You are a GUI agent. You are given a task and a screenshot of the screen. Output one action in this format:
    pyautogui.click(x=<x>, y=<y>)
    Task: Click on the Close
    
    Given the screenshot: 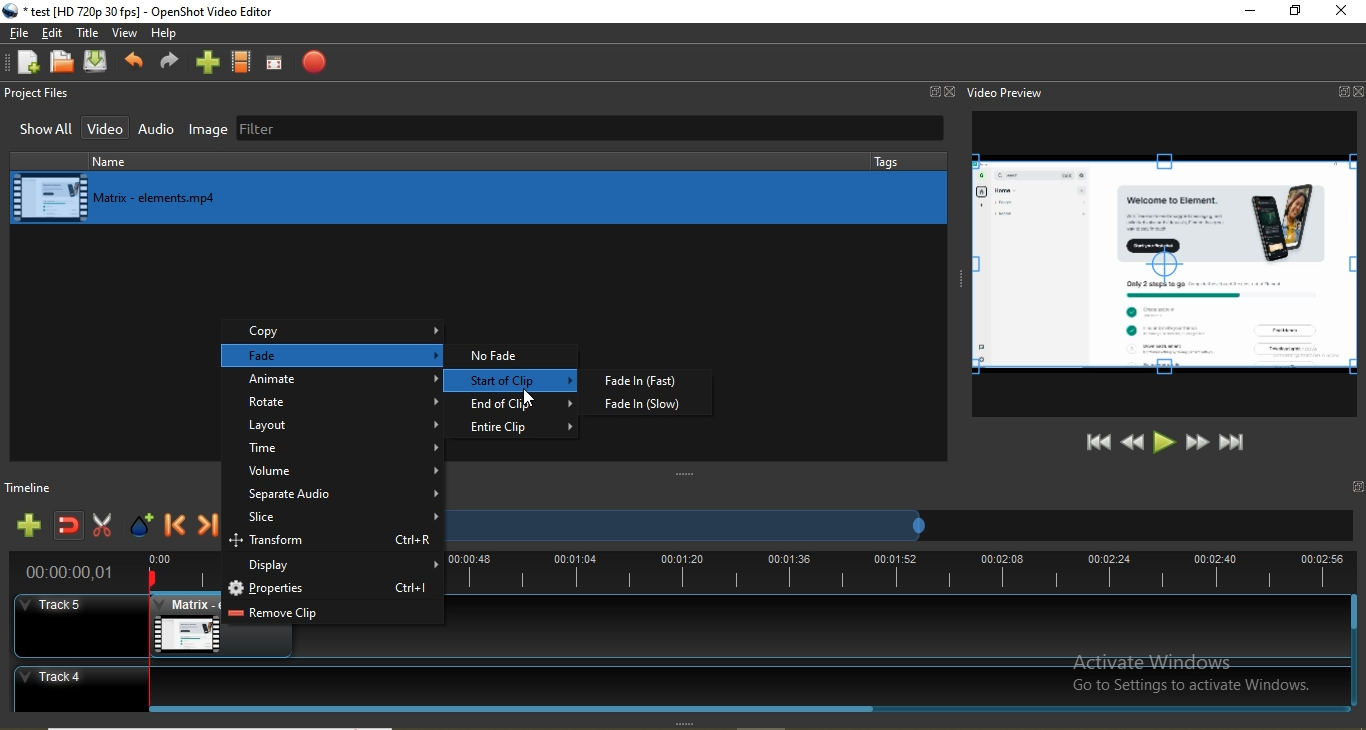 What is the action you would take?
    pyautogui.click(x=1359, y=92)
    